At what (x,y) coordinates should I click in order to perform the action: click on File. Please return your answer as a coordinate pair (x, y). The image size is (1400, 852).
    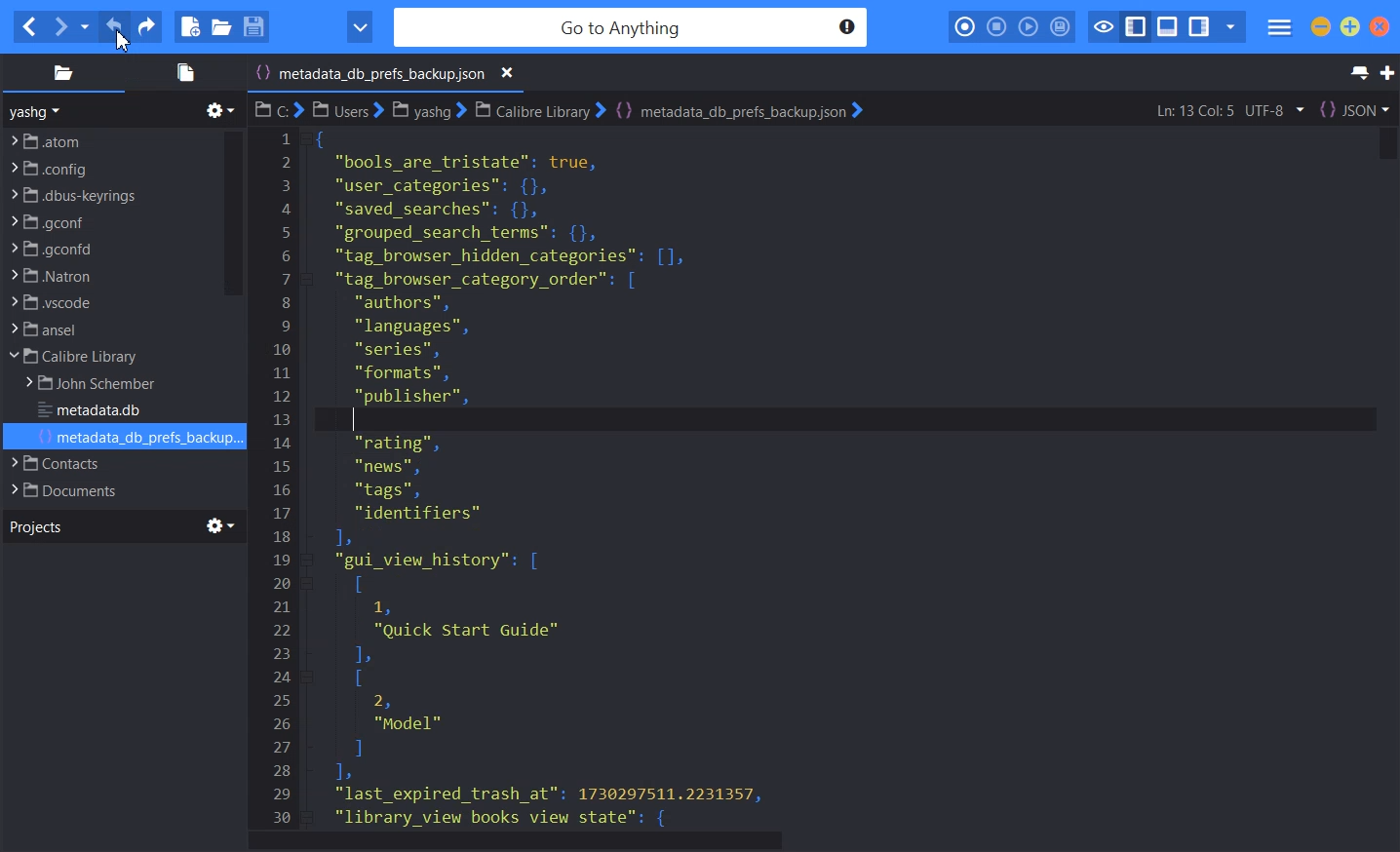
    Looking at the image, I should click on (99, 384).